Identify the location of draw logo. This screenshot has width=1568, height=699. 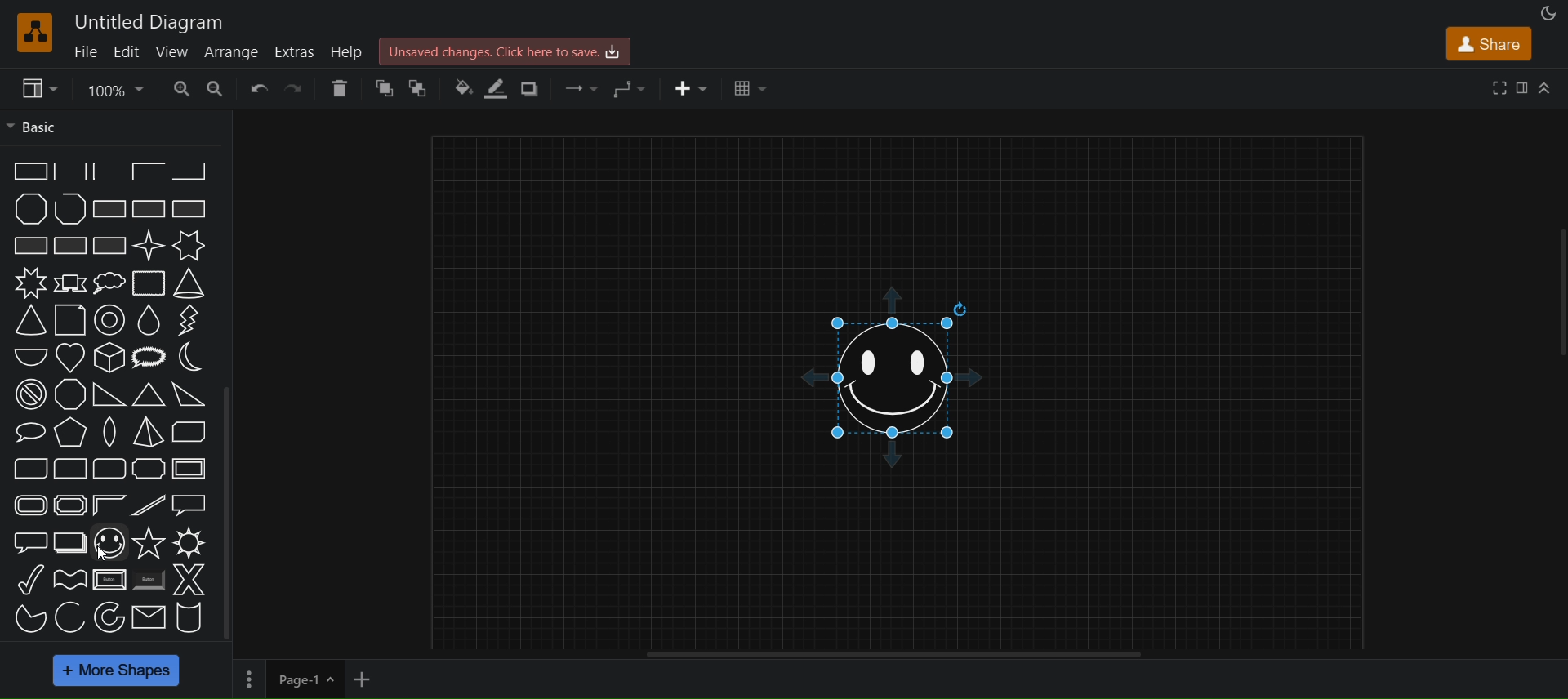
(32, 30).